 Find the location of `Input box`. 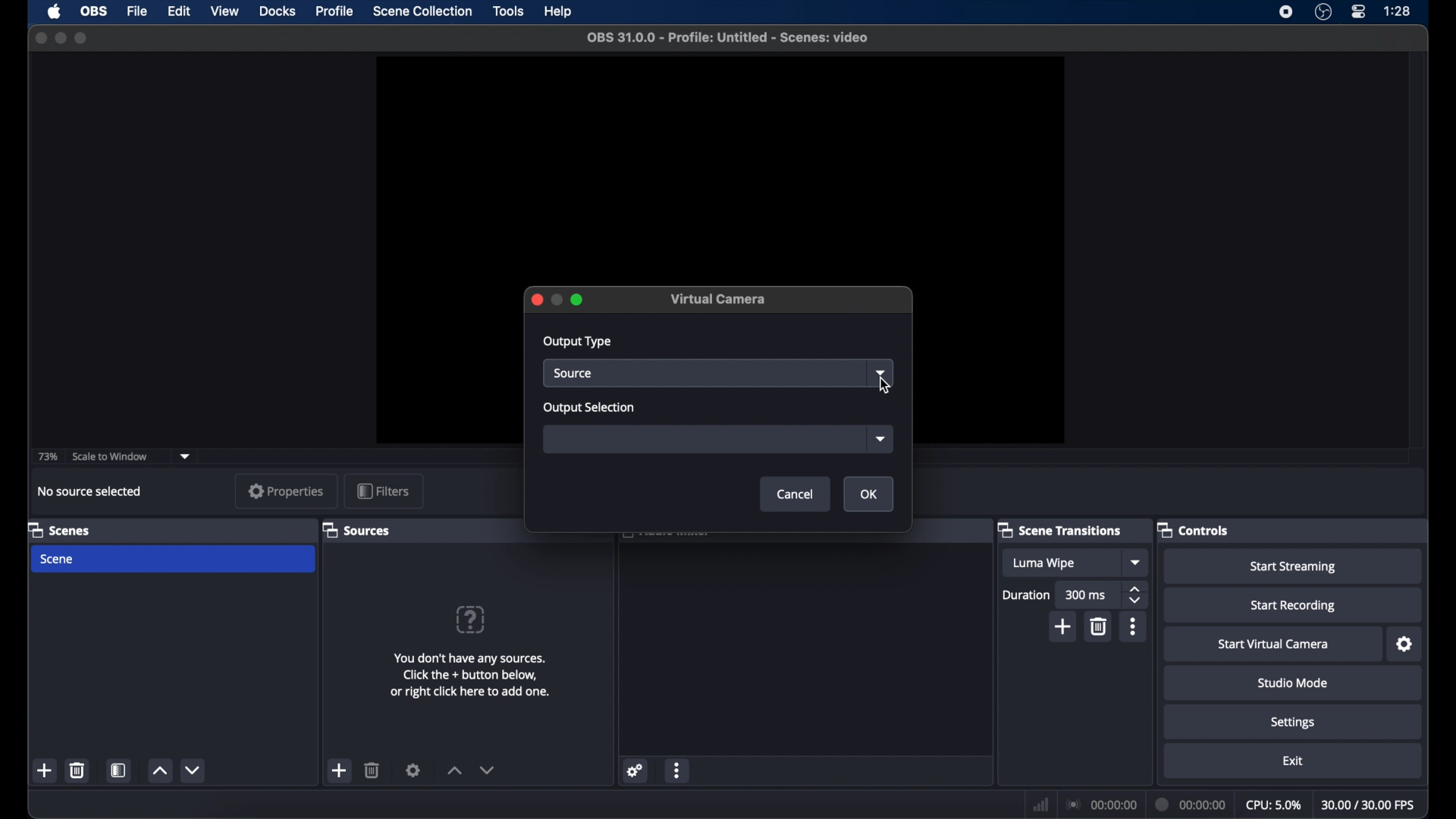

Input box is located at coordinates (706, 440).